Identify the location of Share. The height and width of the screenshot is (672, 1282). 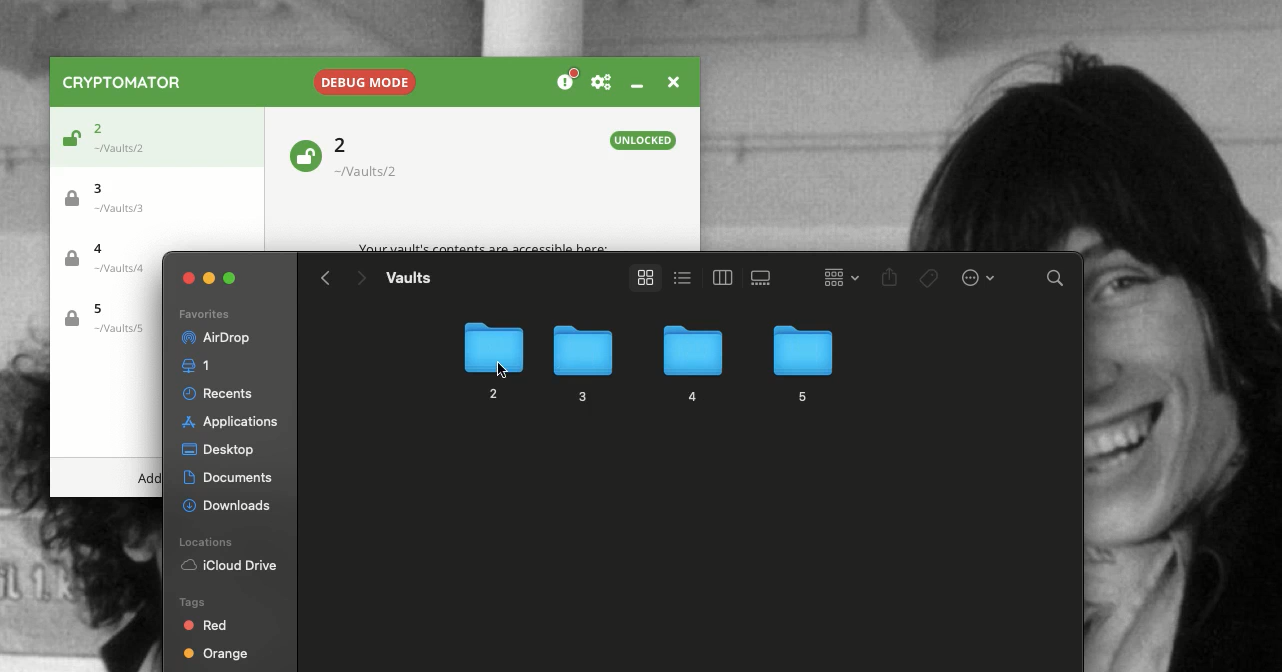
(890, 279).